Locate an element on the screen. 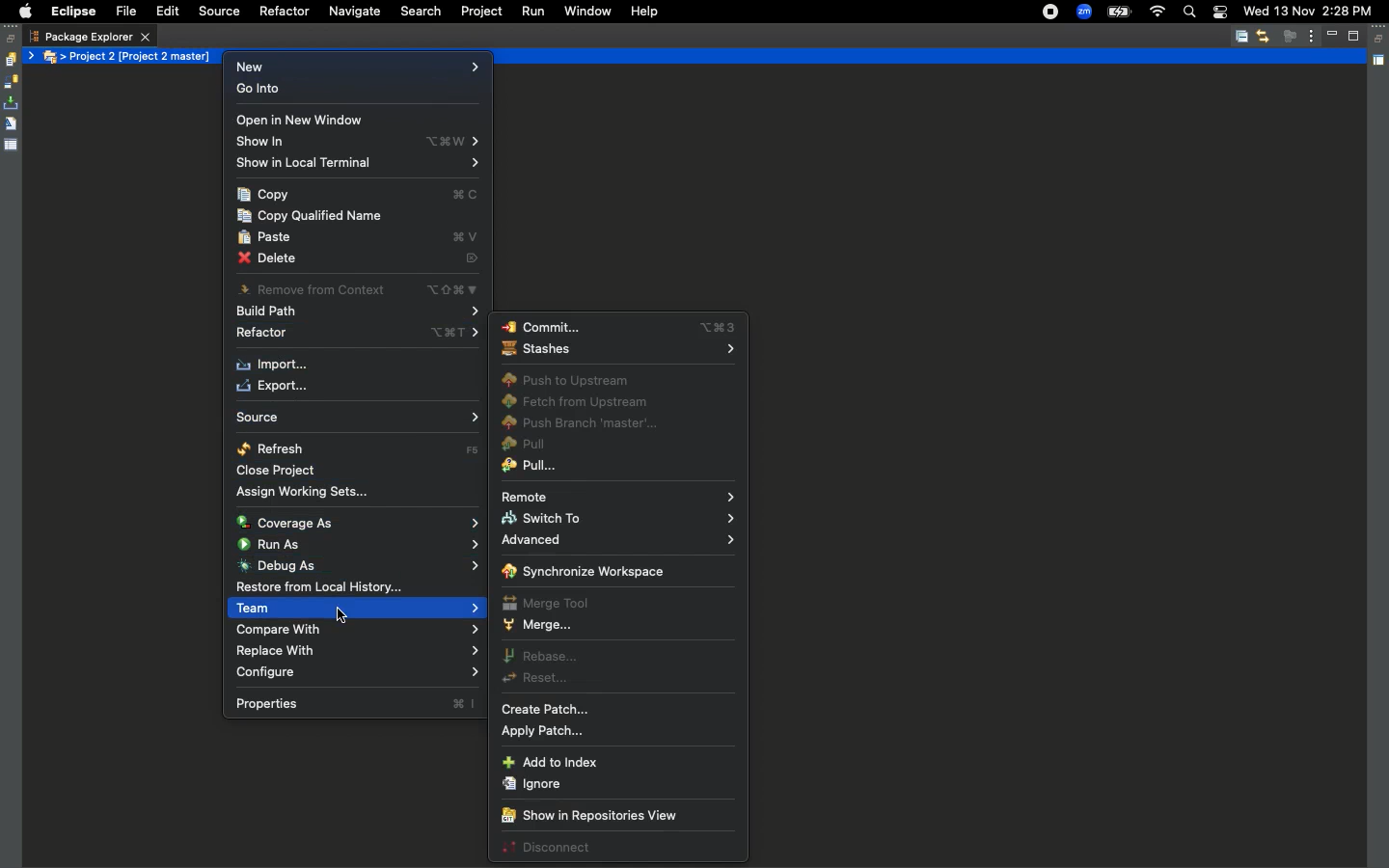 This screenshot has height=868, width=1389. Copy qualified name is located at coordinates (313, 218).